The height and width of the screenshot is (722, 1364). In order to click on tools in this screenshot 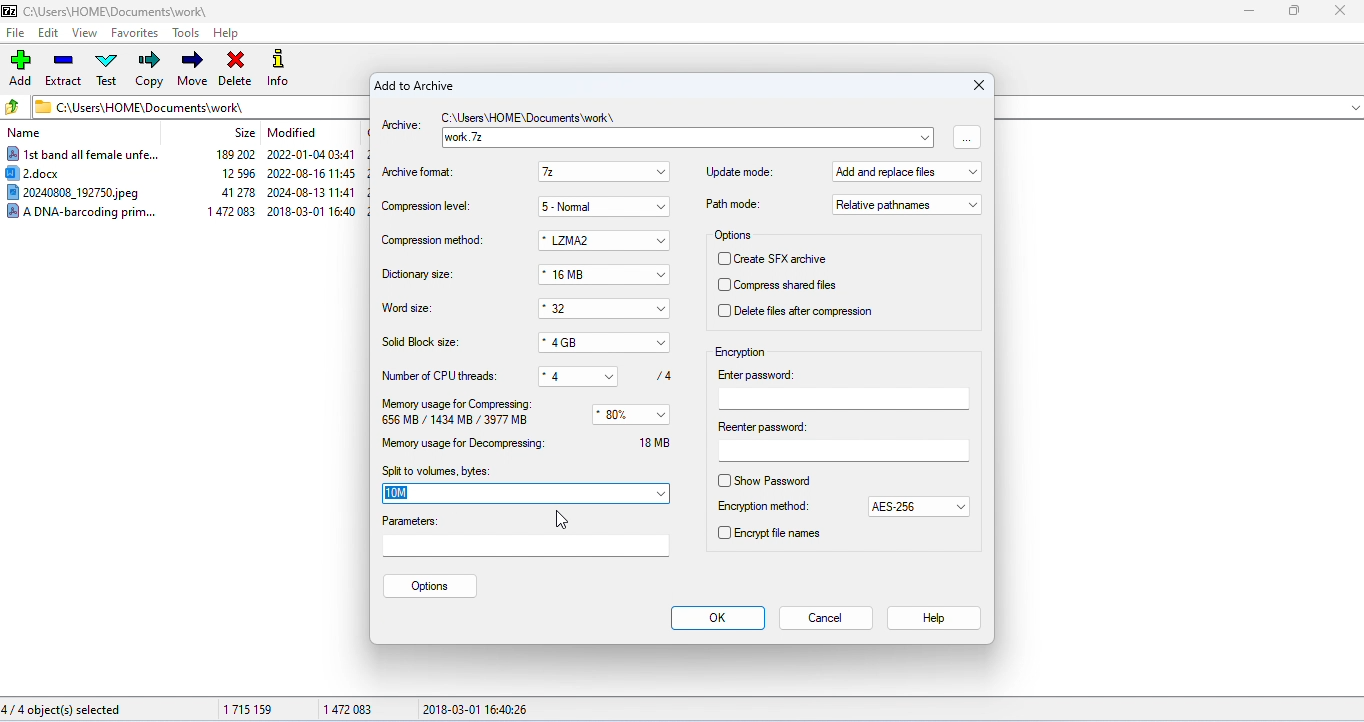, I will do `click(188, 32)`.